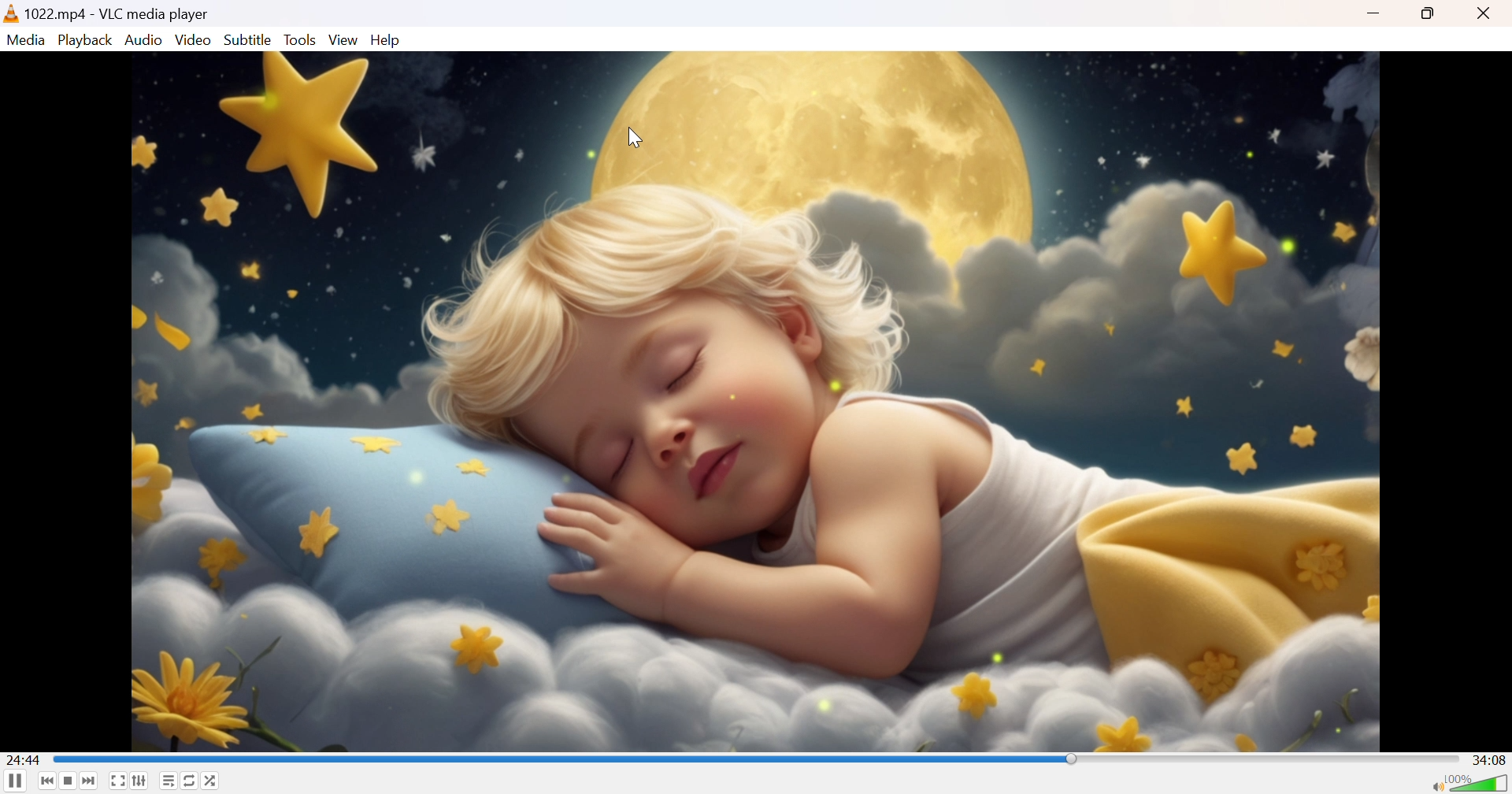 The image size is (1512, 794). I want to click on Scroll bar, so click(566, 759).